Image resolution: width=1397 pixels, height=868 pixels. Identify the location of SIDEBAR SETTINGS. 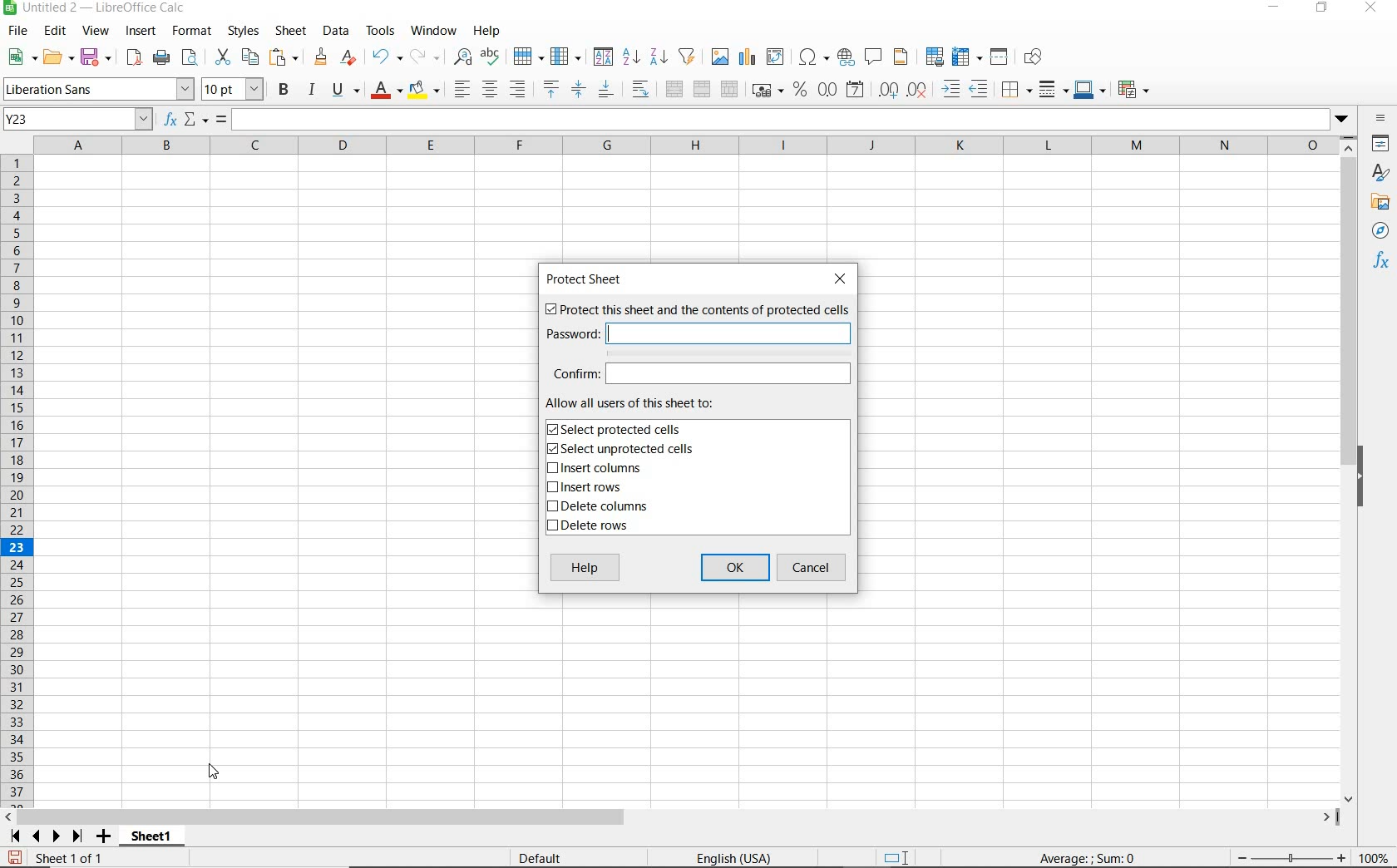
(1380, 118).